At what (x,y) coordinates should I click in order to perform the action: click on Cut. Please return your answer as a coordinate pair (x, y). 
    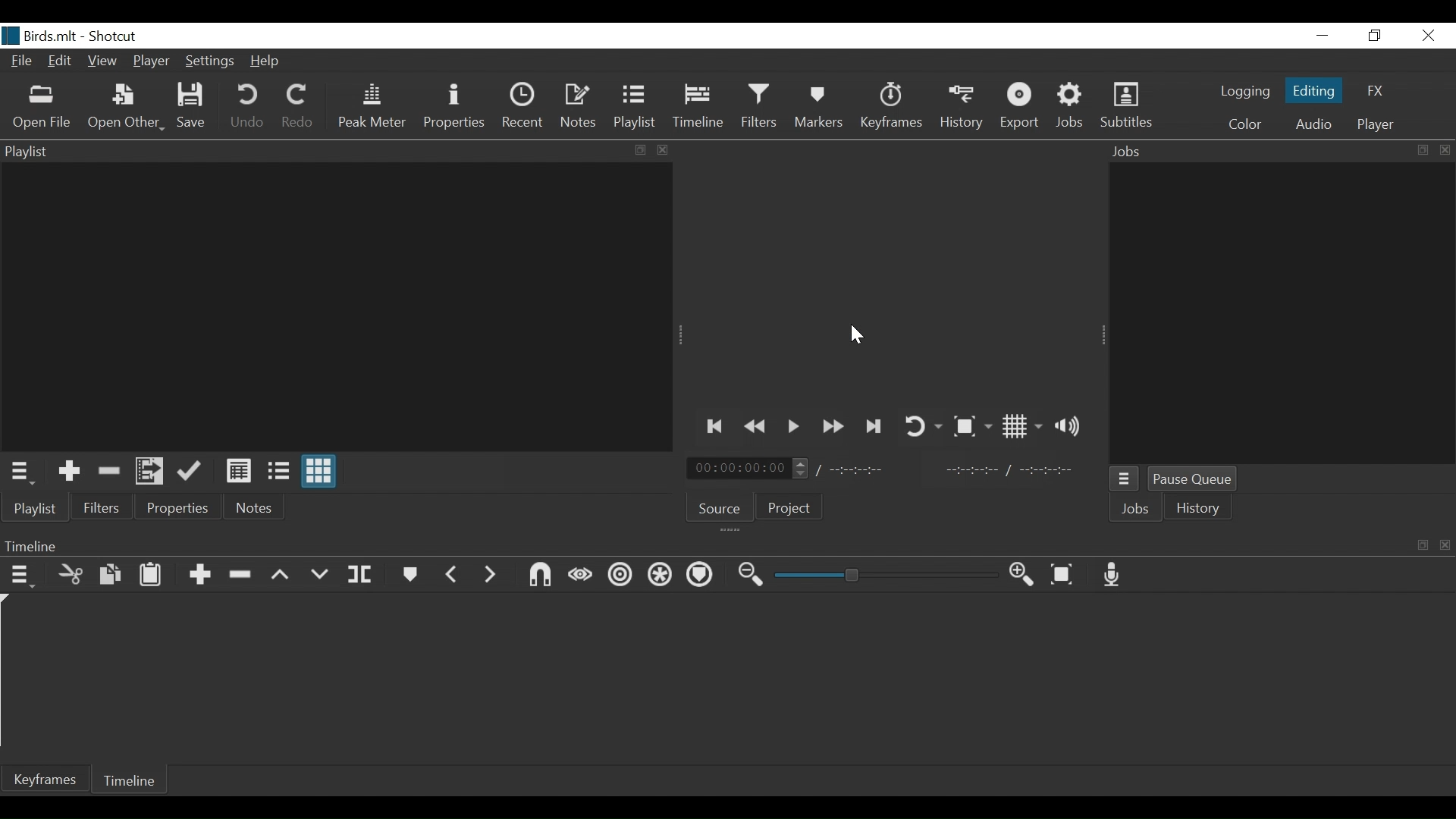
    Looking at the image, I should click on (71, 573).